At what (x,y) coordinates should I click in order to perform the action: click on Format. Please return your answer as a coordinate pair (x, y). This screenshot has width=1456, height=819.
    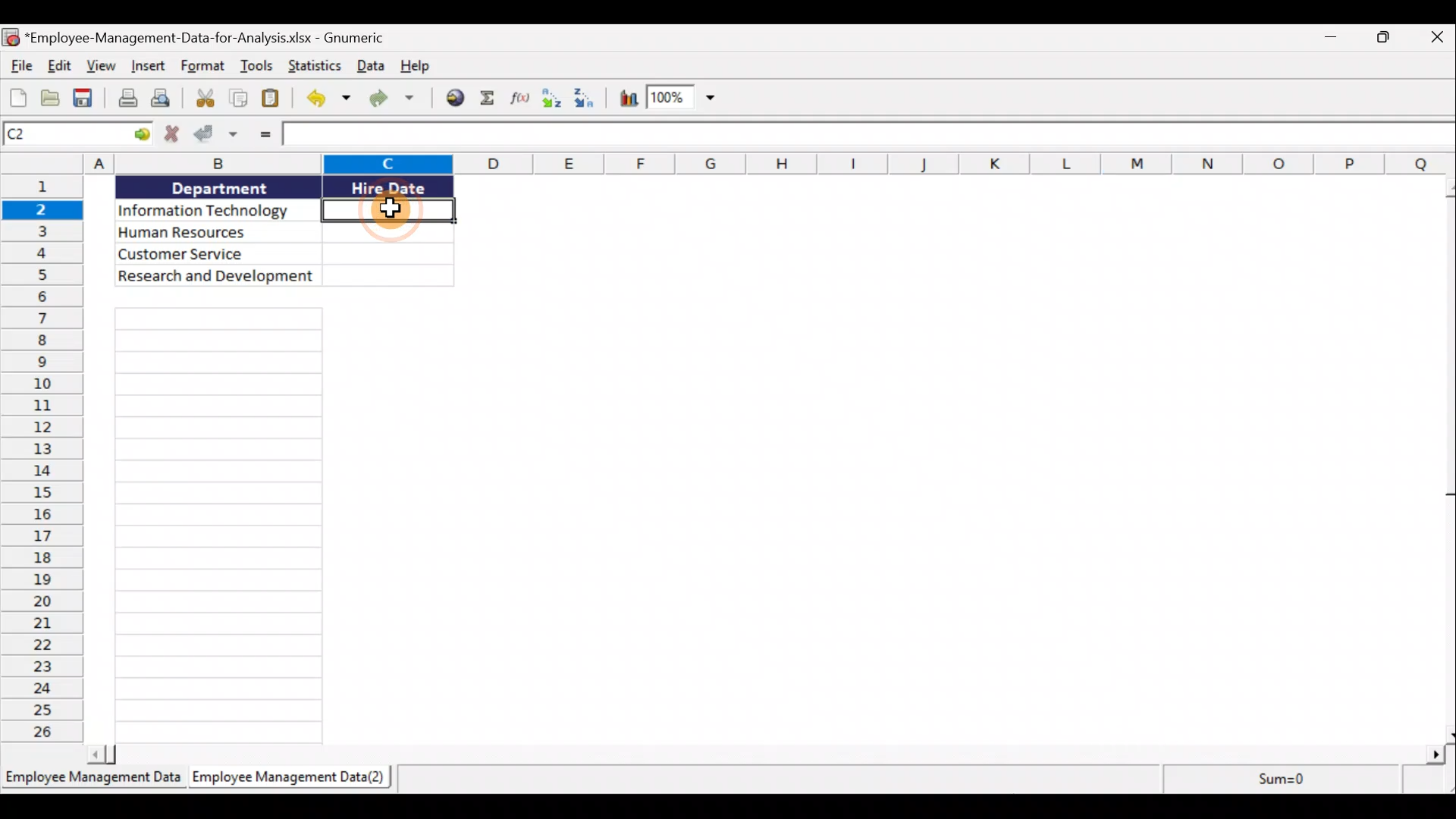
    Looking at the image, I should click on (203, 68).